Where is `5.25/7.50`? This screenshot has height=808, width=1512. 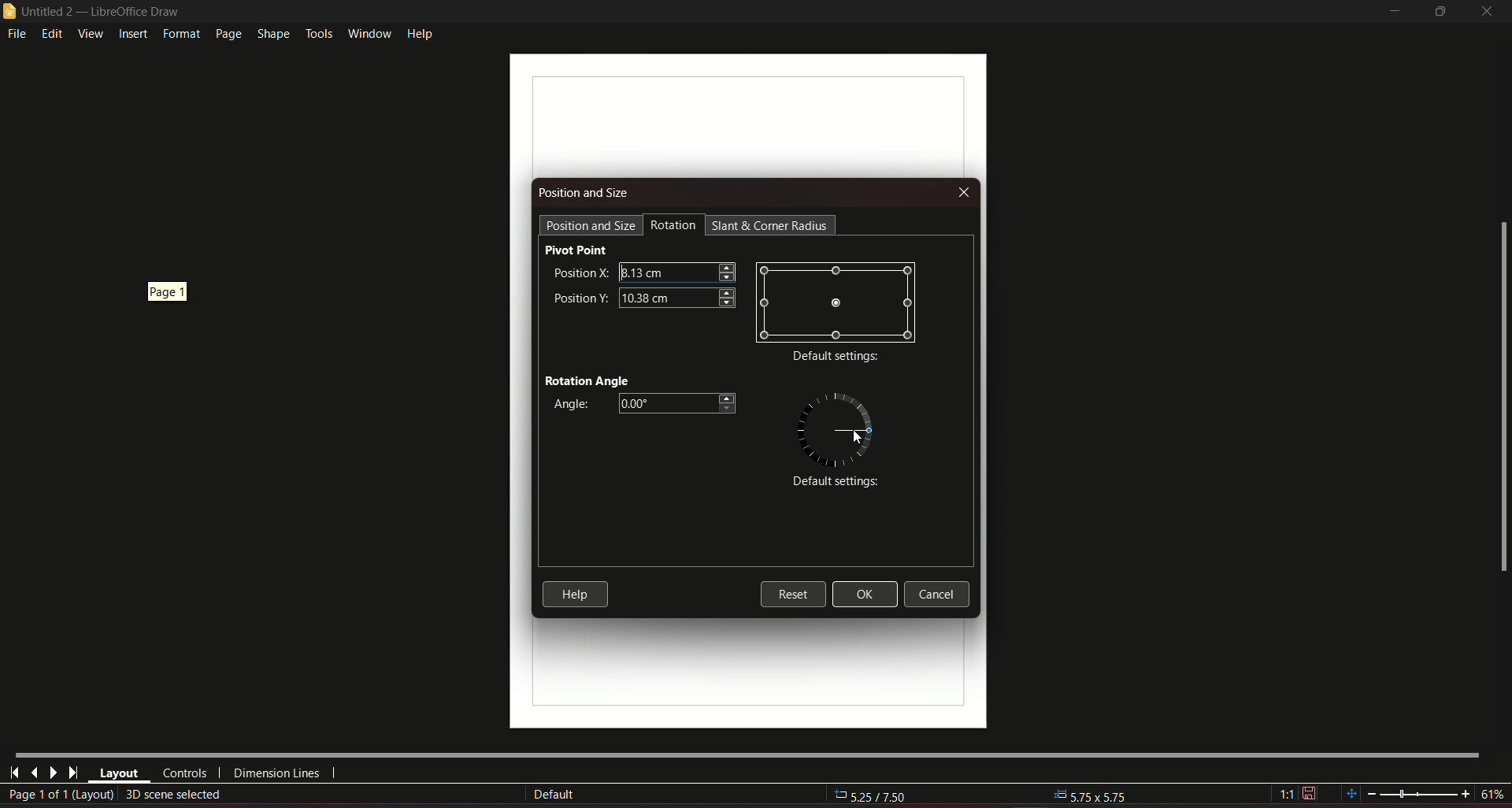 5.25/7.50 is located at coordinates (880, 797).